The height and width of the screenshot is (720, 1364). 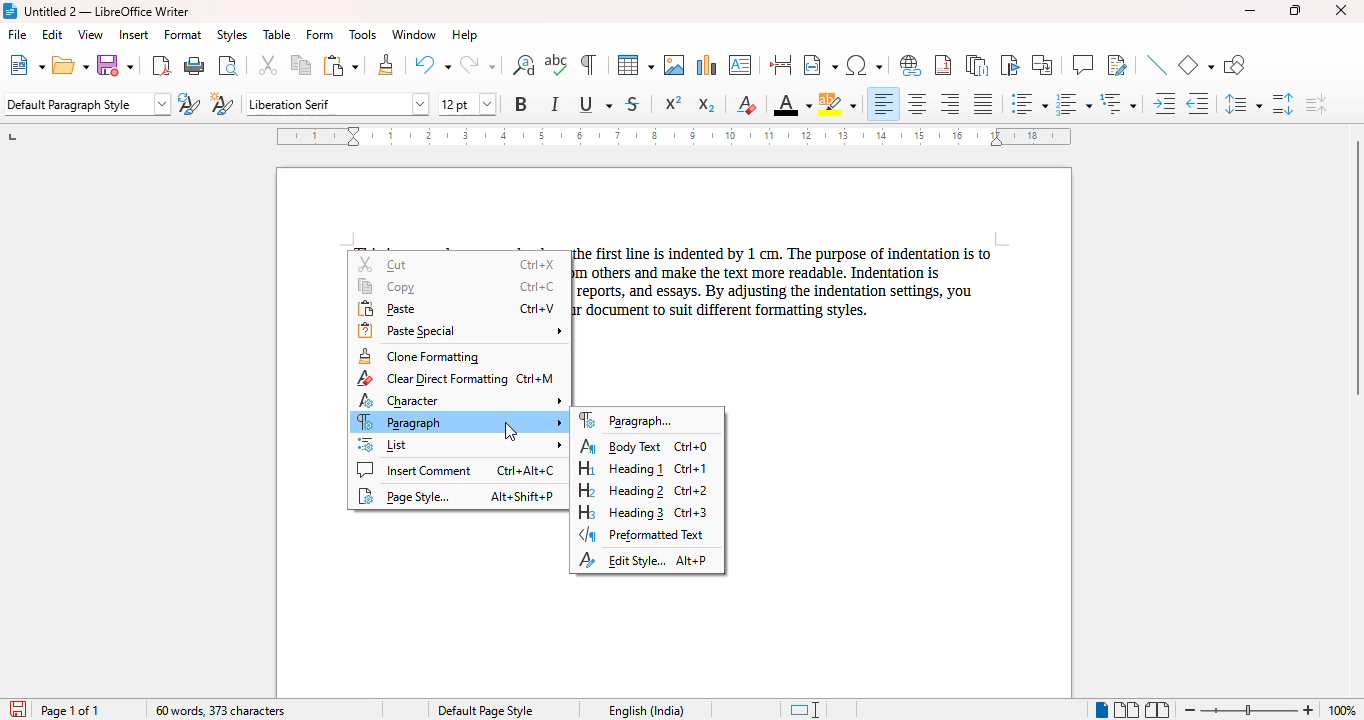 I want to click on paste, so click(x=456, y=309).